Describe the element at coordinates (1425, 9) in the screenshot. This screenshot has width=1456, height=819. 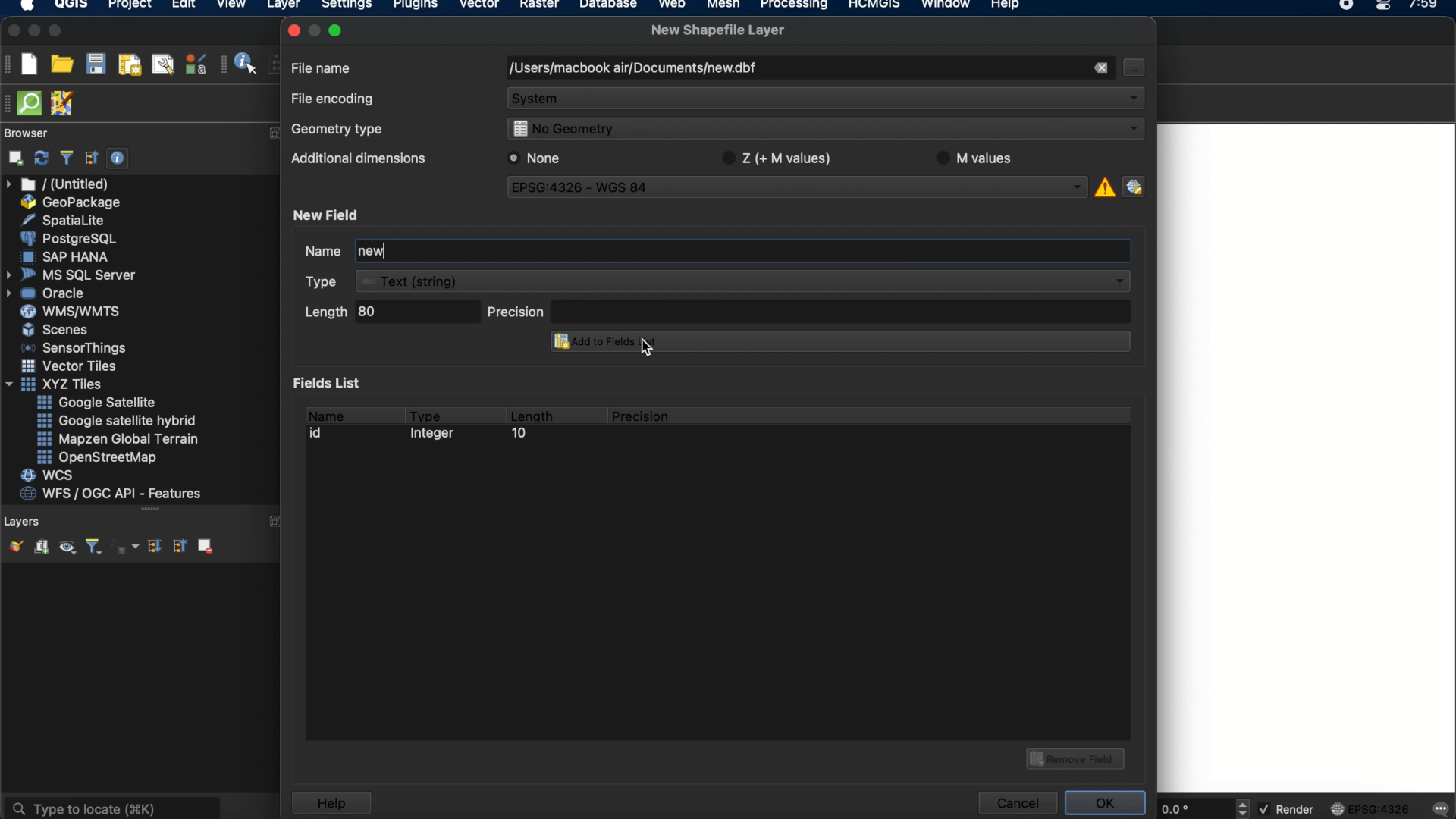
I see `time` at that location.